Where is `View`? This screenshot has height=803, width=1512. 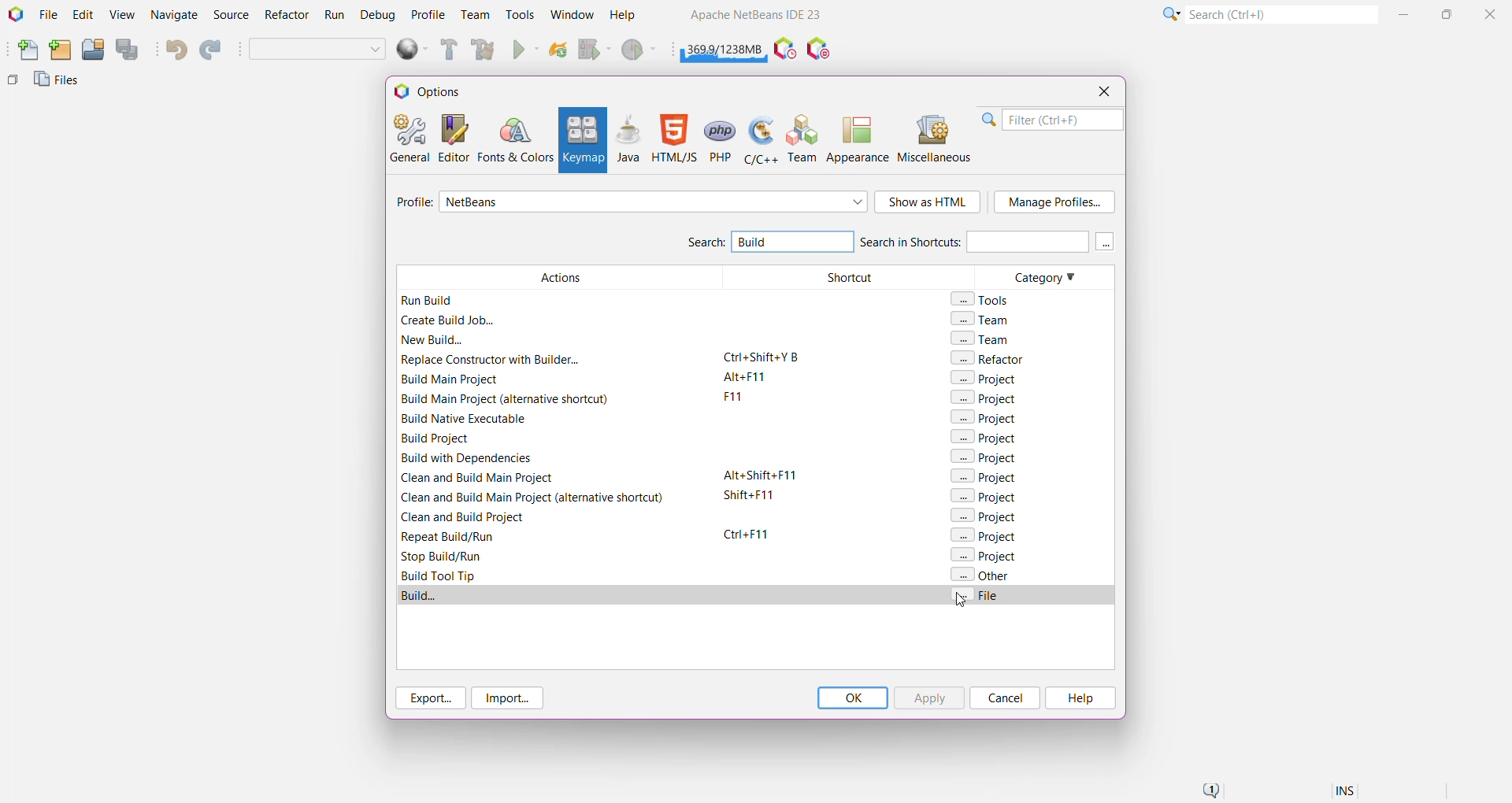 View is located at coordinates (121, 16).